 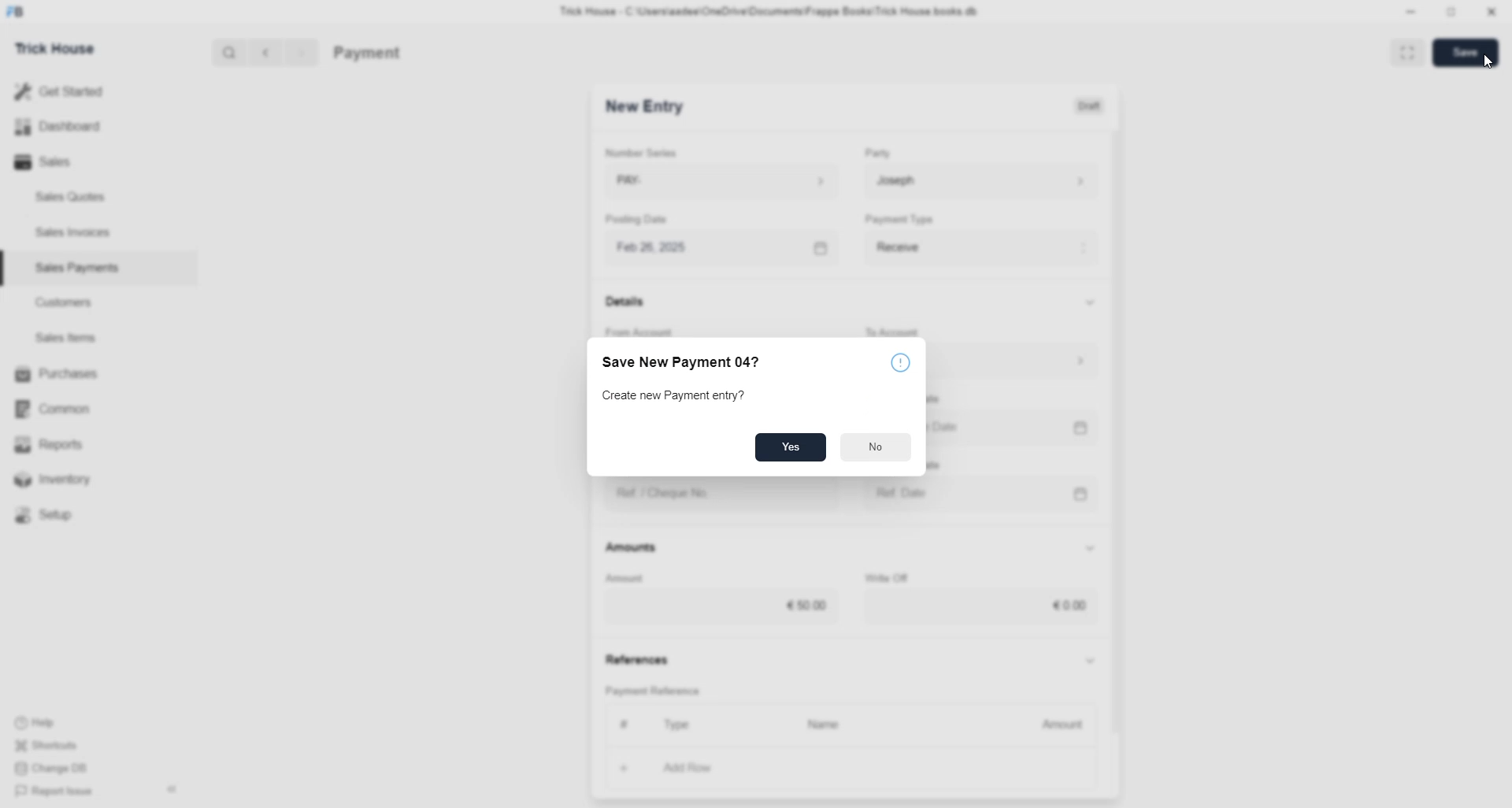 I want to click on Payment Type, so click(x=982, y=249).